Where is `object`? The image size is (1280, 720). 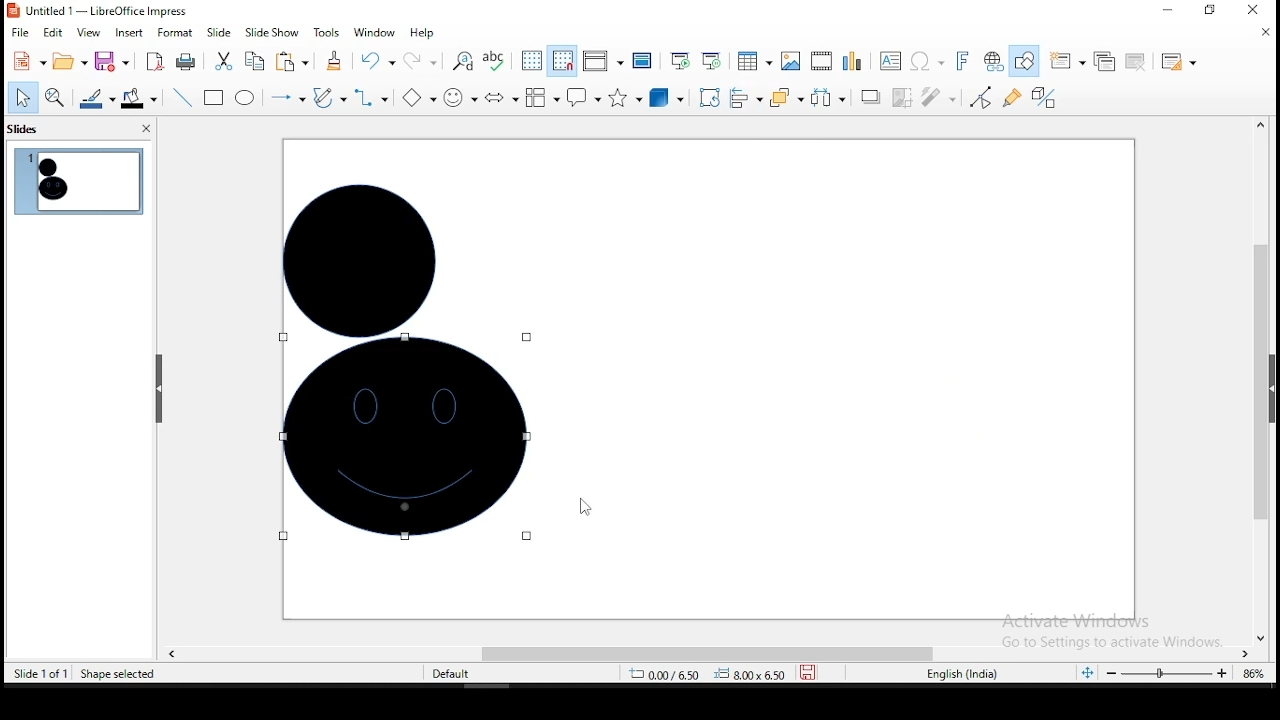 object is located at coordinates (412, 438).